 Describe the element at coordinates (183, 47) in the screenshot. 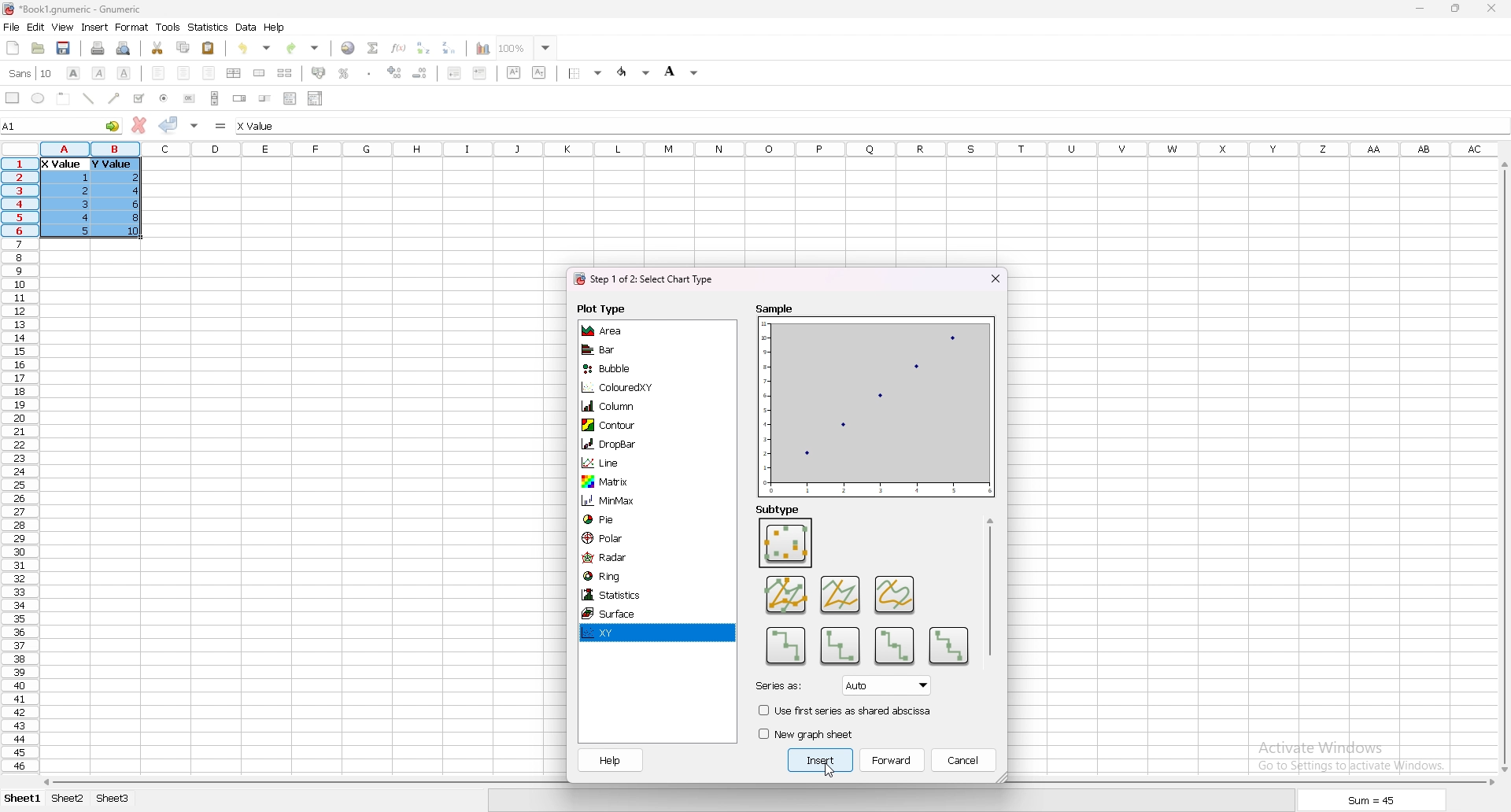

I see `copy` at that location.